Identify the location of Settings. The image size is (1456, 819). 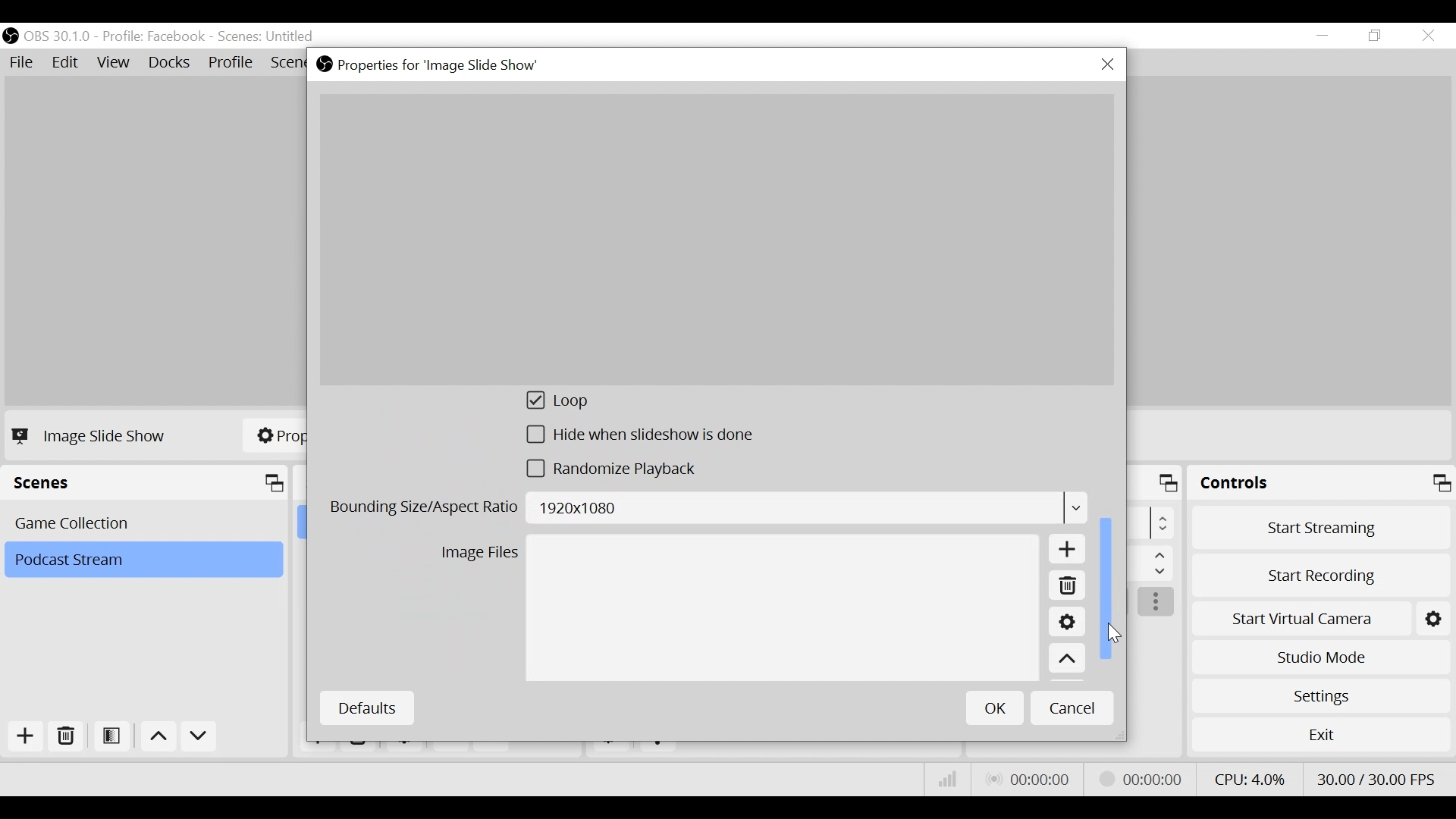
(1066, 622).